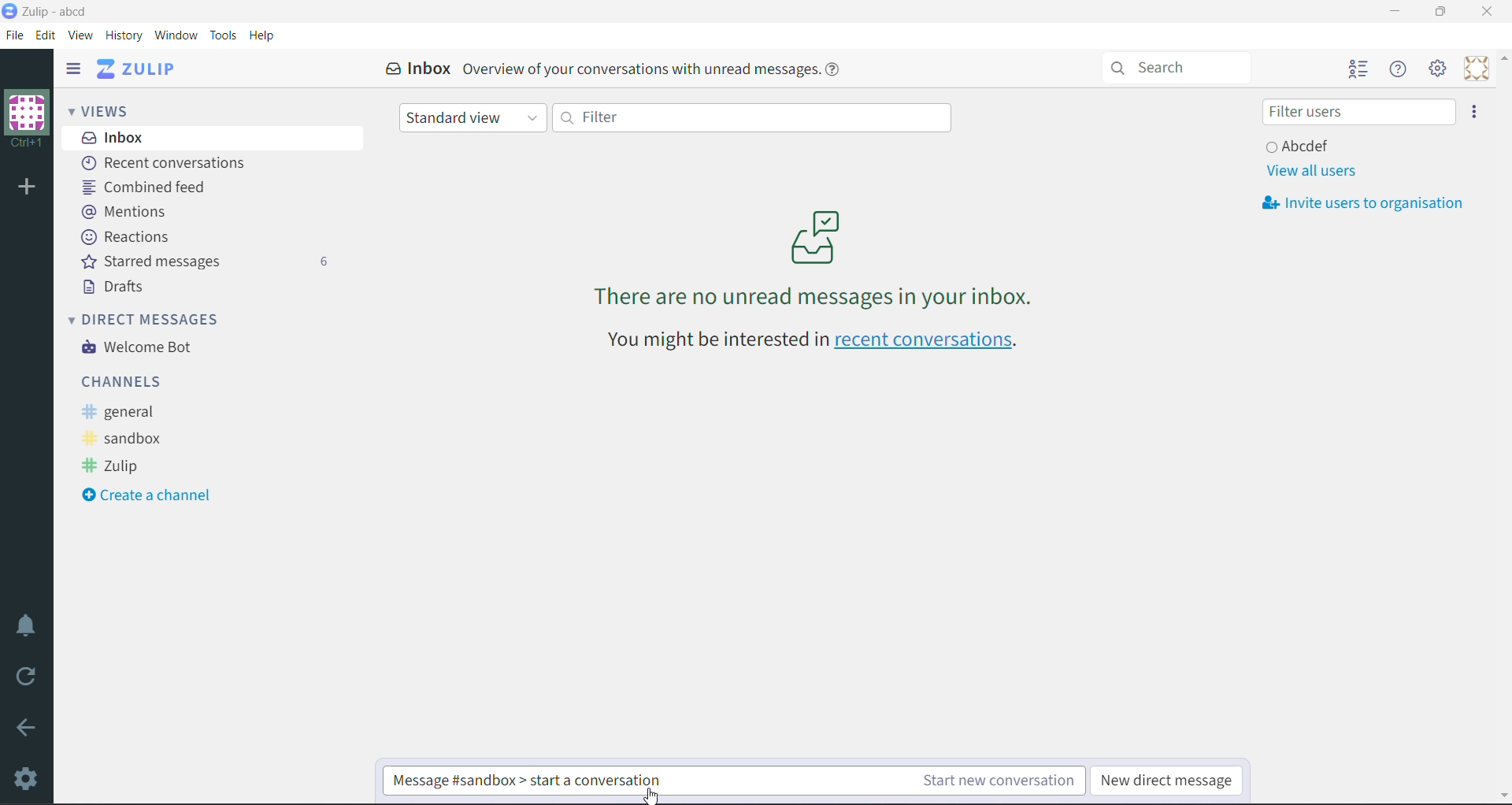 This screenshot has height=805, width=1512. What do you see at coordinates (1358, 112) in the screenshot?
I see `Filter users` at bounding box center [1358, 112].